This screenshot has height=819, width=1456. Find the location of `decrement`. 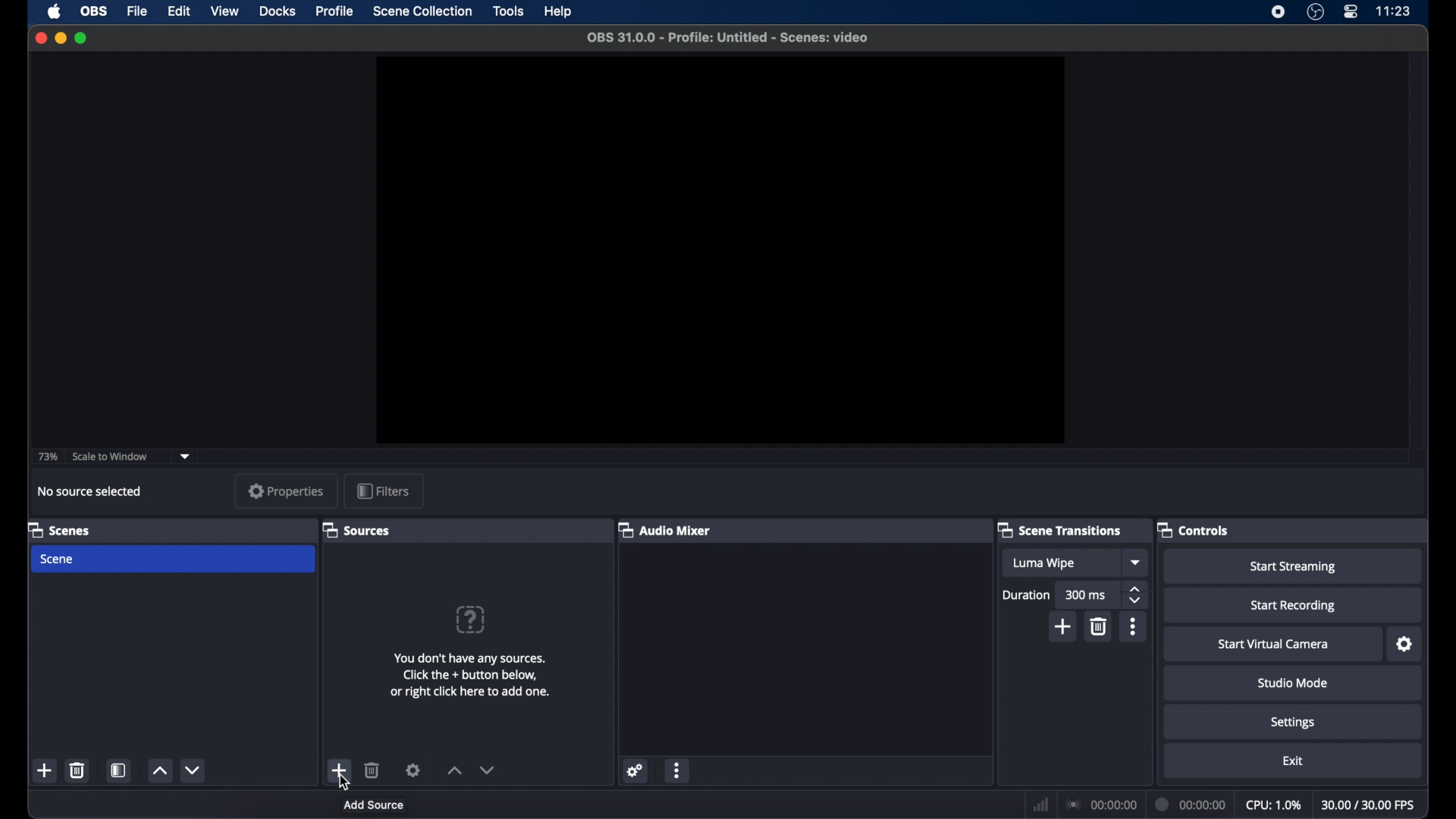

decrement is located at coordinates (488, 770).